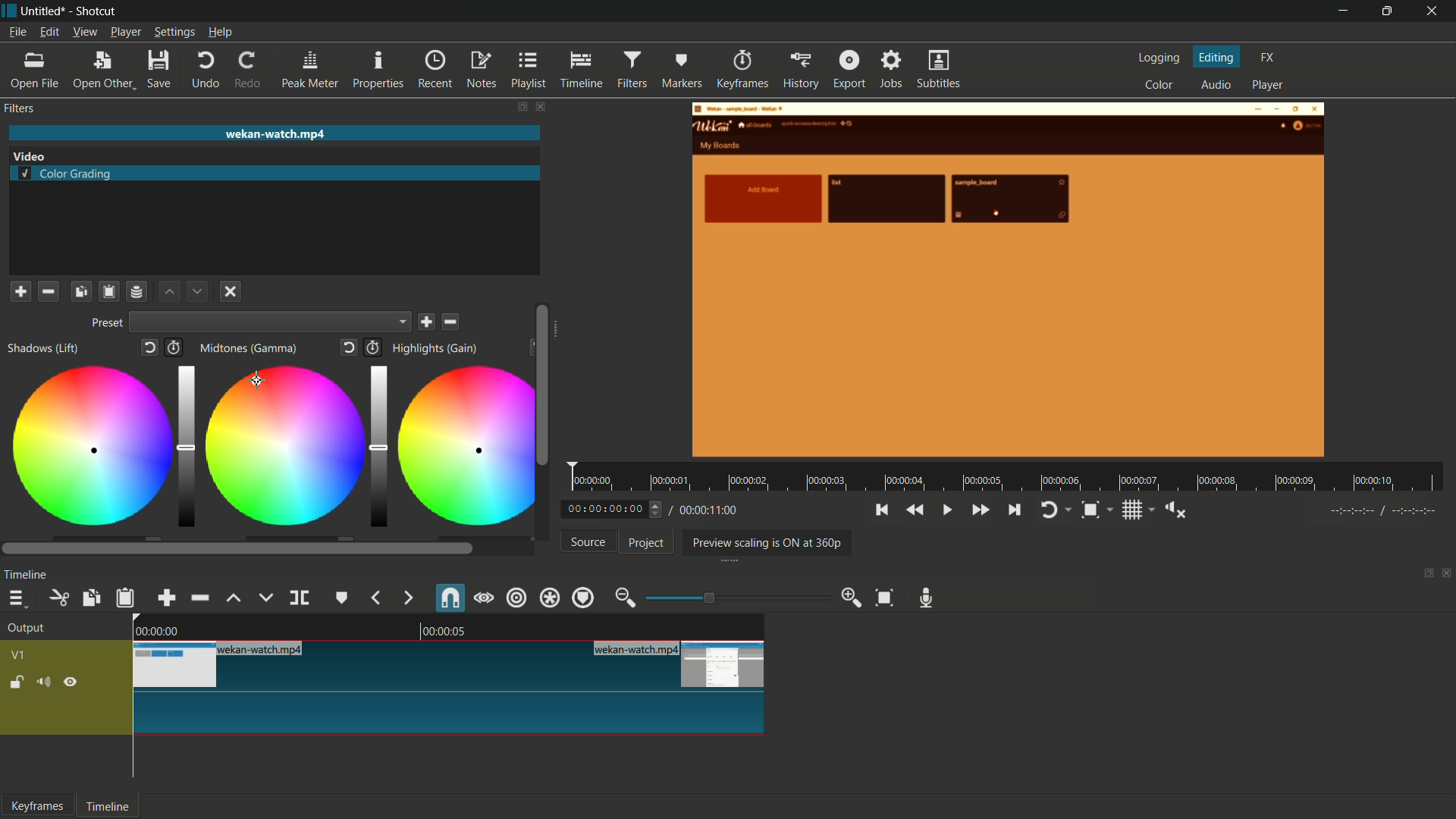  What do you see at coordinates (45, 348) in the screenshot?
I see `shadows(lift)` at bounding box center [45, 348].